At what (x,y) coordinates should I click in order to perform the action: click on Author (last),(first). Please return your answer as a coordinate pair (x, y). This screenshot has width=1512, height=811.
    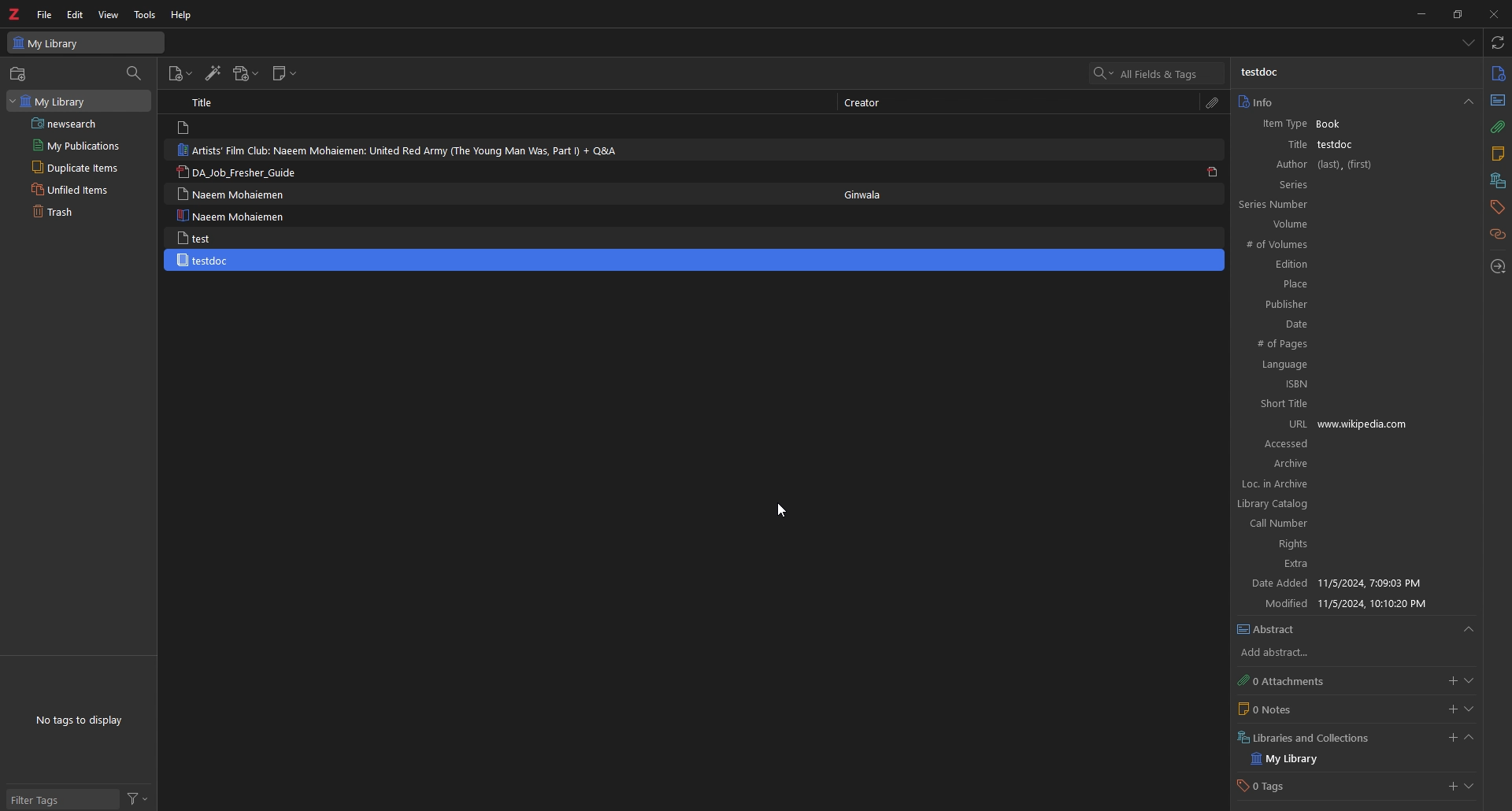
    Looking at the image, I should click on (1322, 165).